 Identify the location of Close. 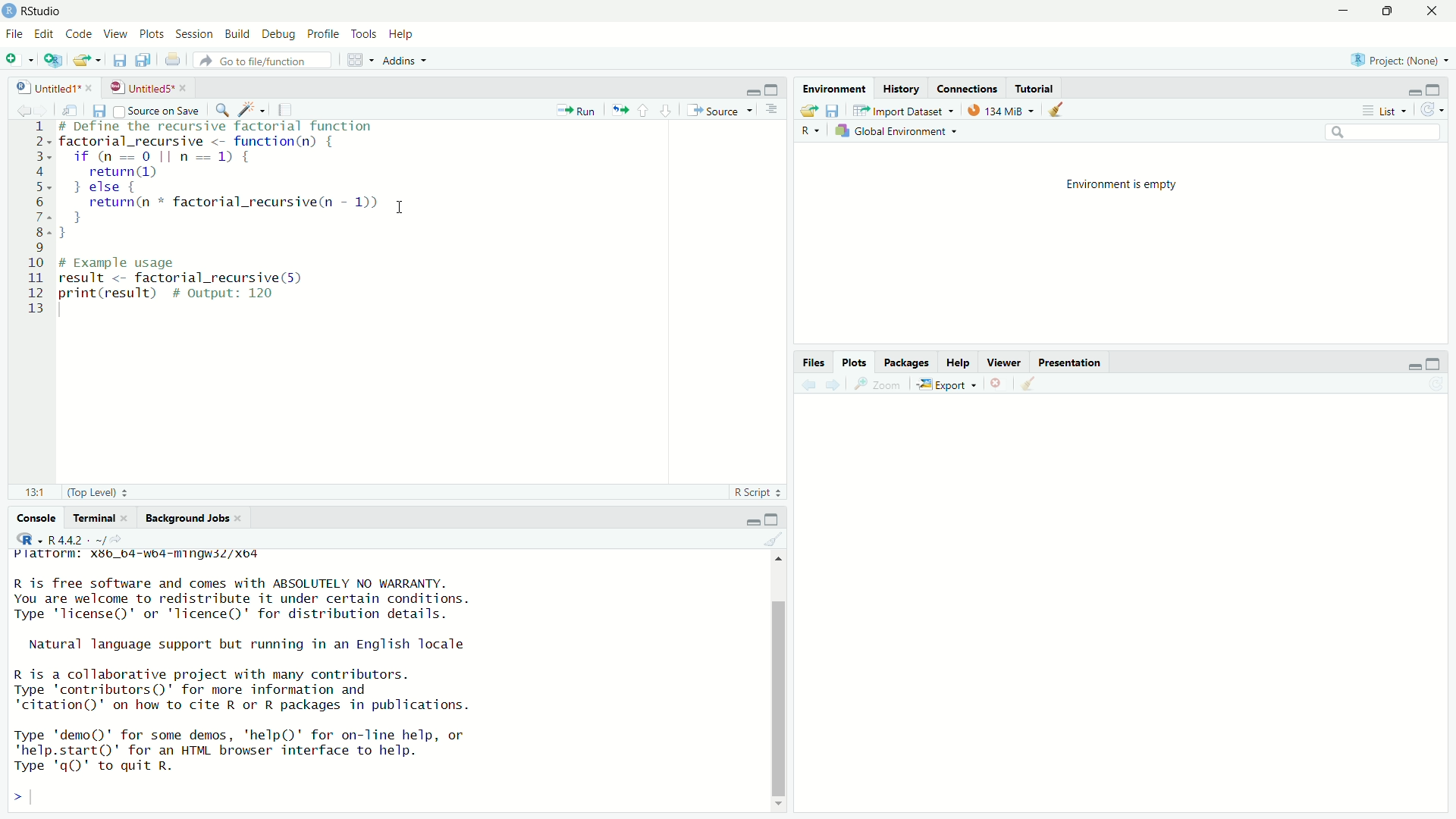
(1426, 13).